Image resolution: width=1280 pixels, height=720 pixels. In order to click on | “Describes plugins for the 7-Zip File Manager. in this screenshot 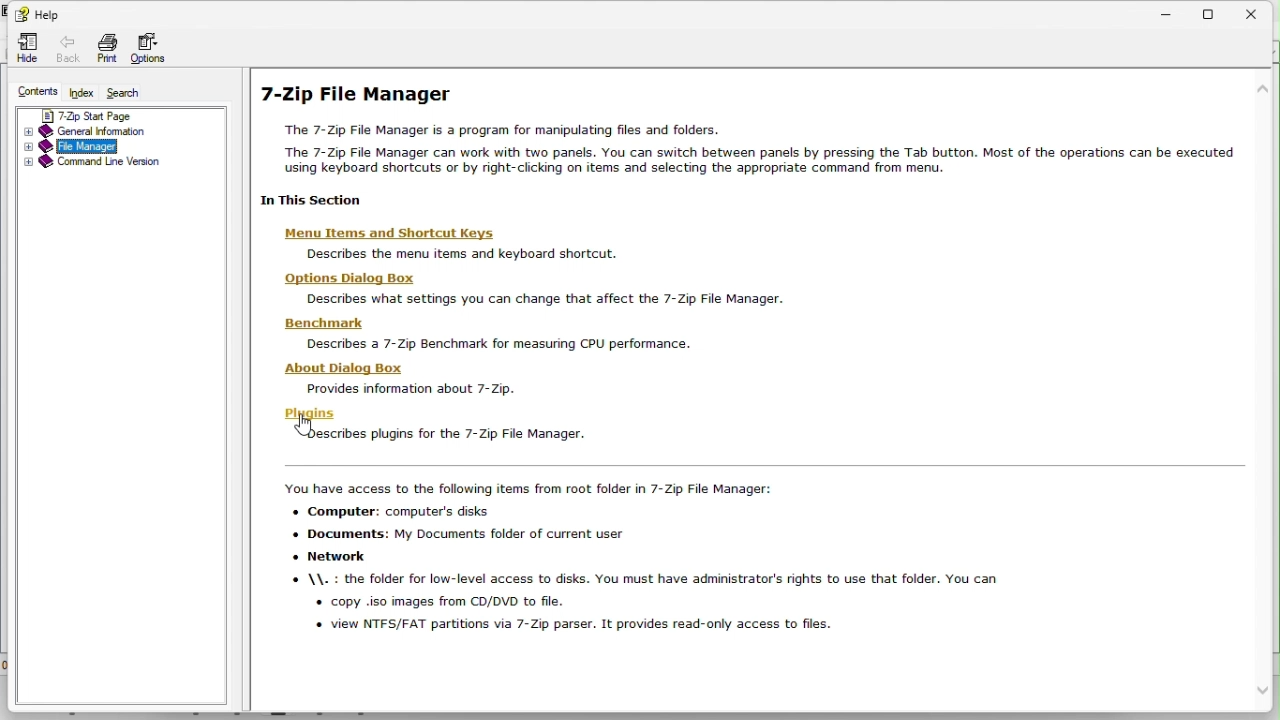, I will do `click(447, 435)`.